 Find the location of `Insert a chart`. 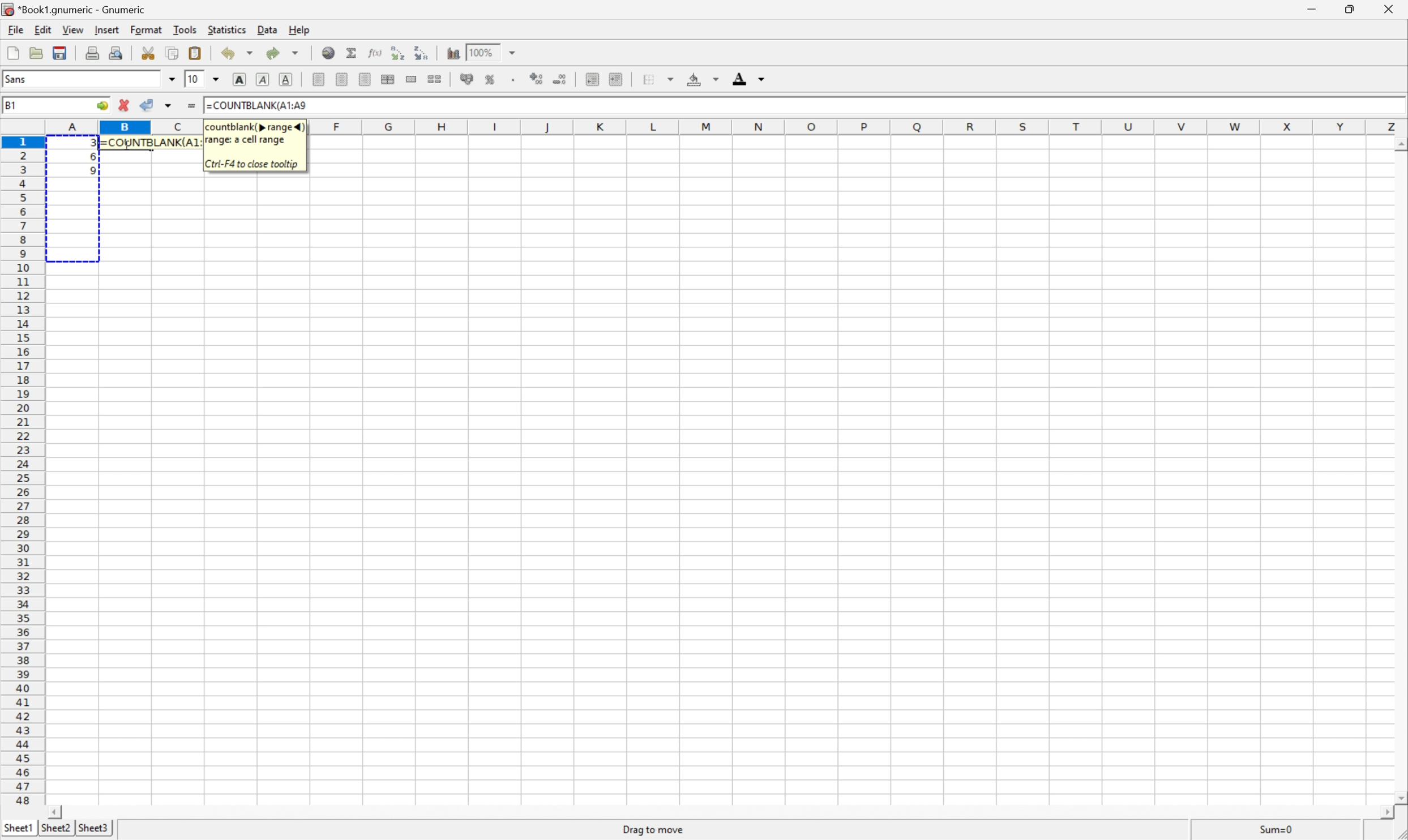

Insert a chart is located at coordinates (454, 53).